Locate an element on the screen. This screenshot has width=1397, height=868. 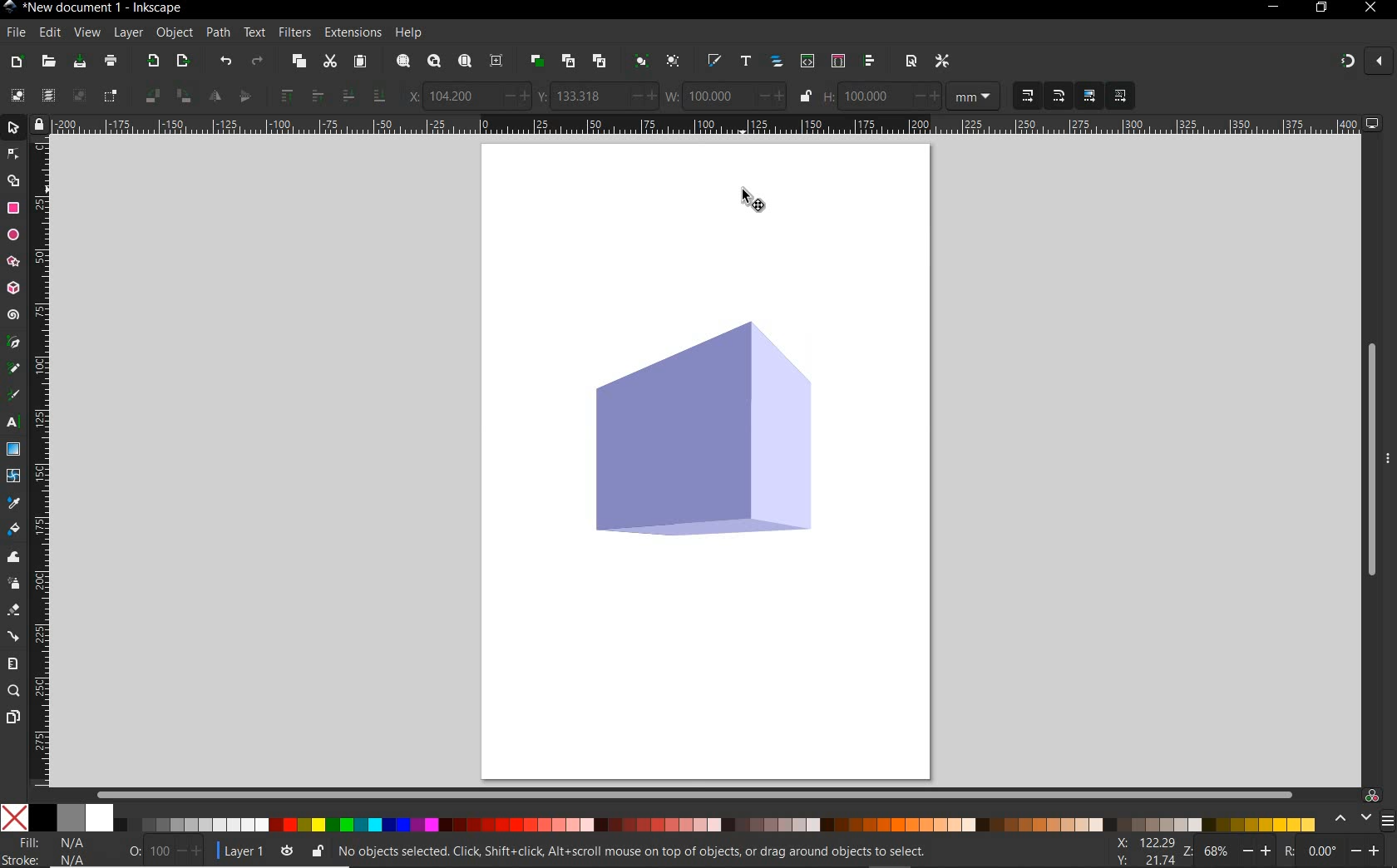
calligraphy tool is located at coordinates (13, 397).